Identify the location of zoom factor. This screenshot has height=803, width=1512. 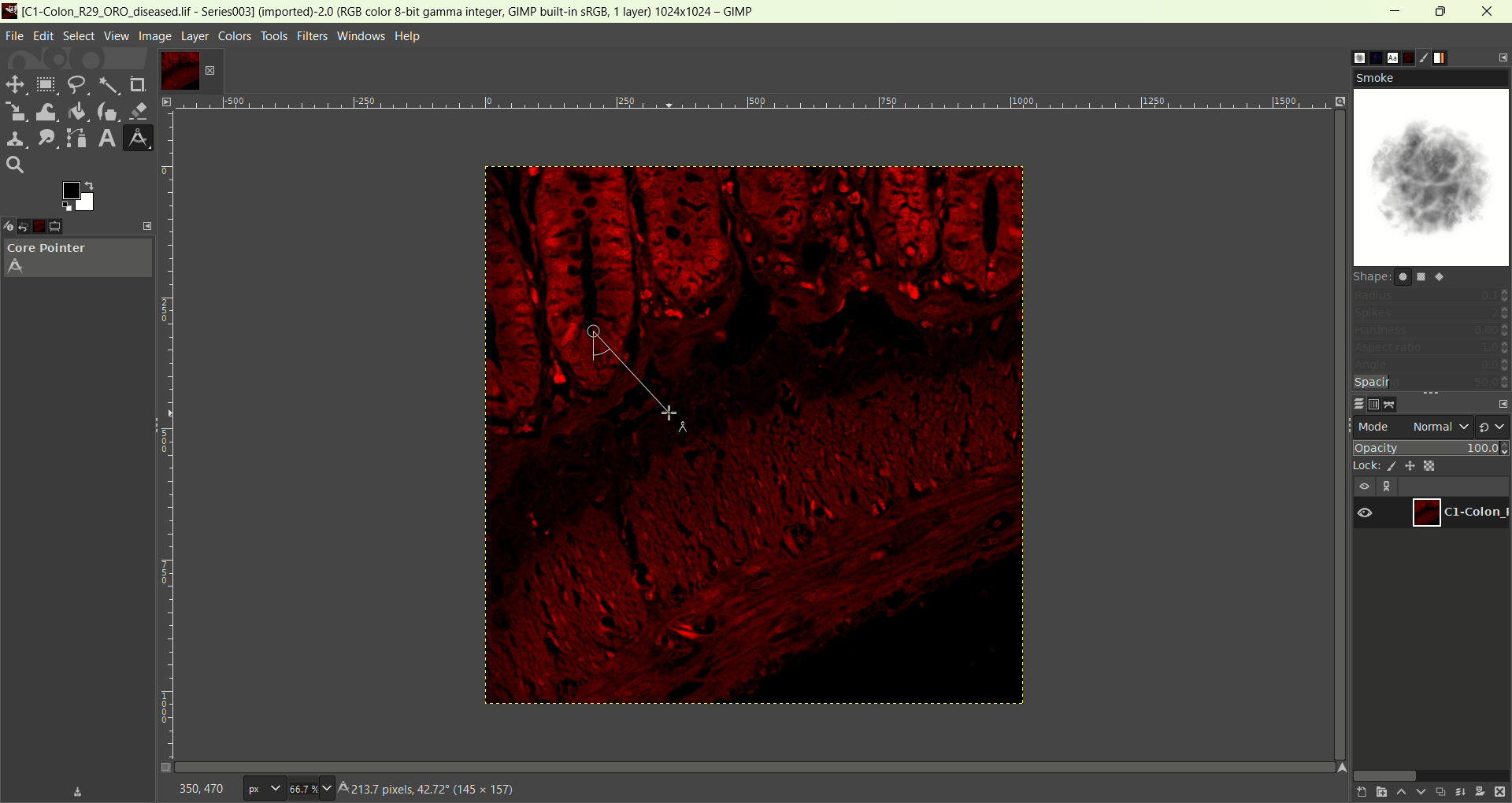
(776, 107).